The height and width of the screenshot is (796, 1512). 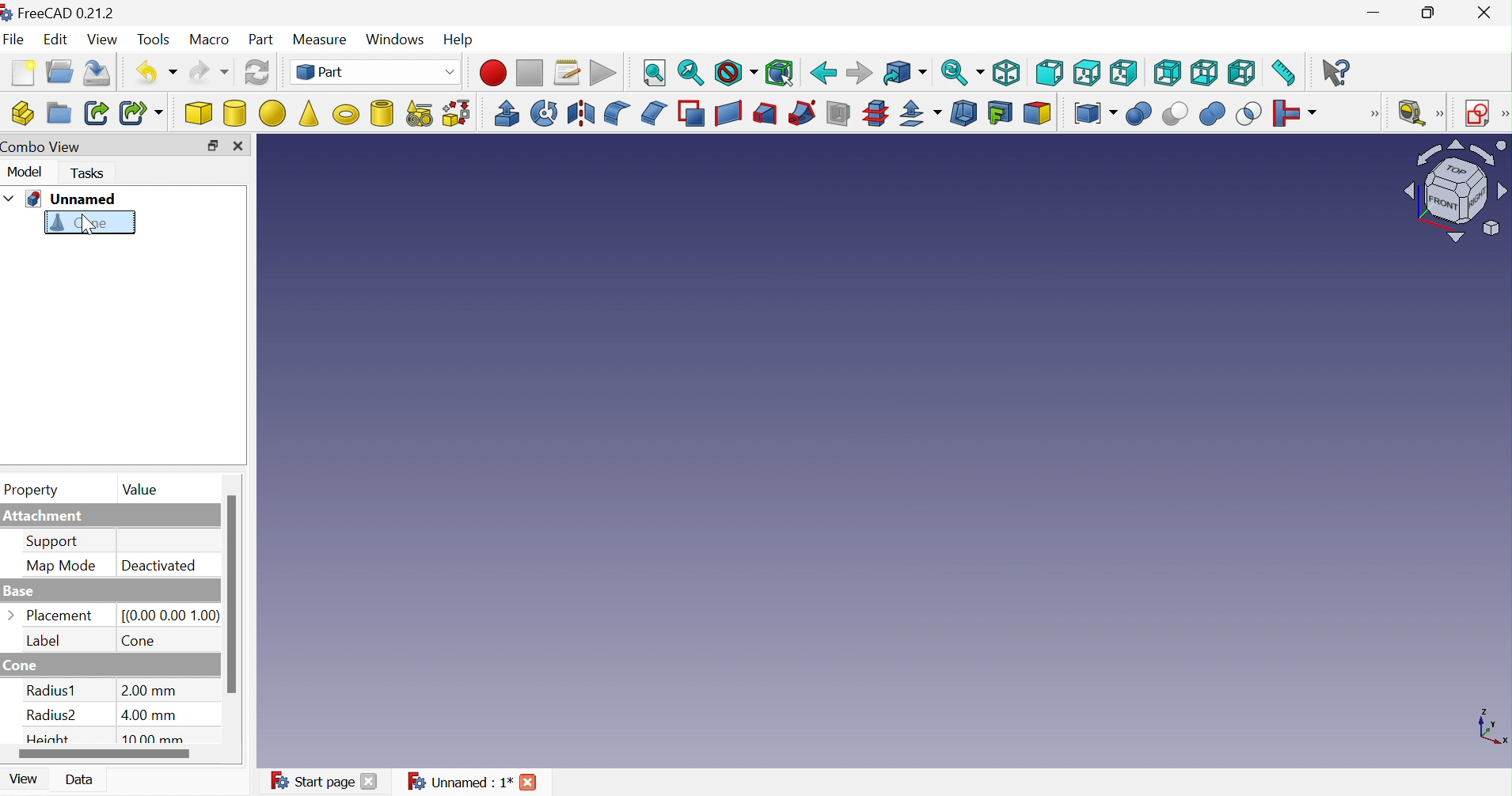 I want to click on Intersection, so click(x=1249, y=116).